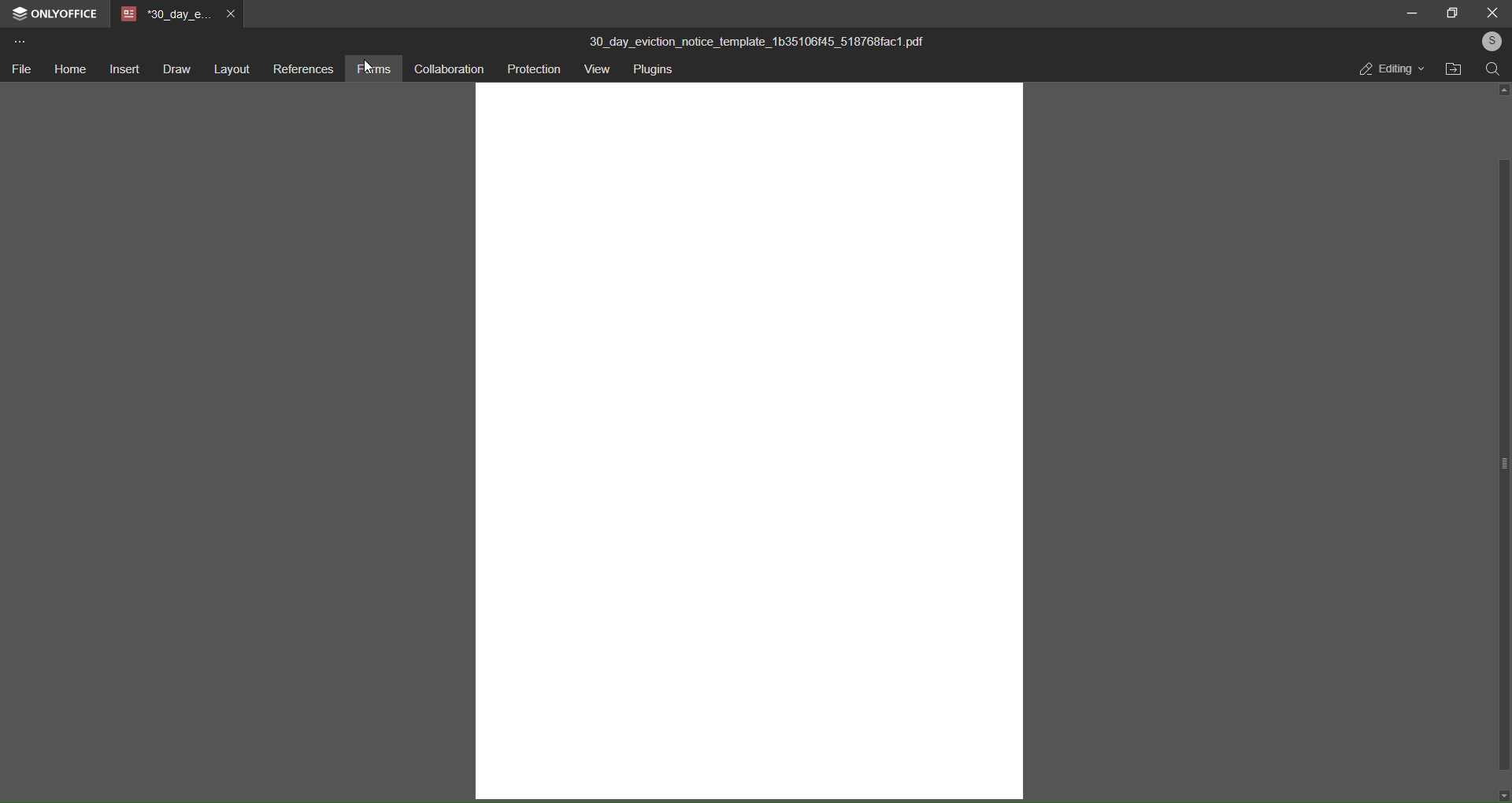 This screenshot has height=803, width=1512. I want to click on 30_day_eviction_notice_template_1b3510645_518768fac.pdf, so click(769, 42).